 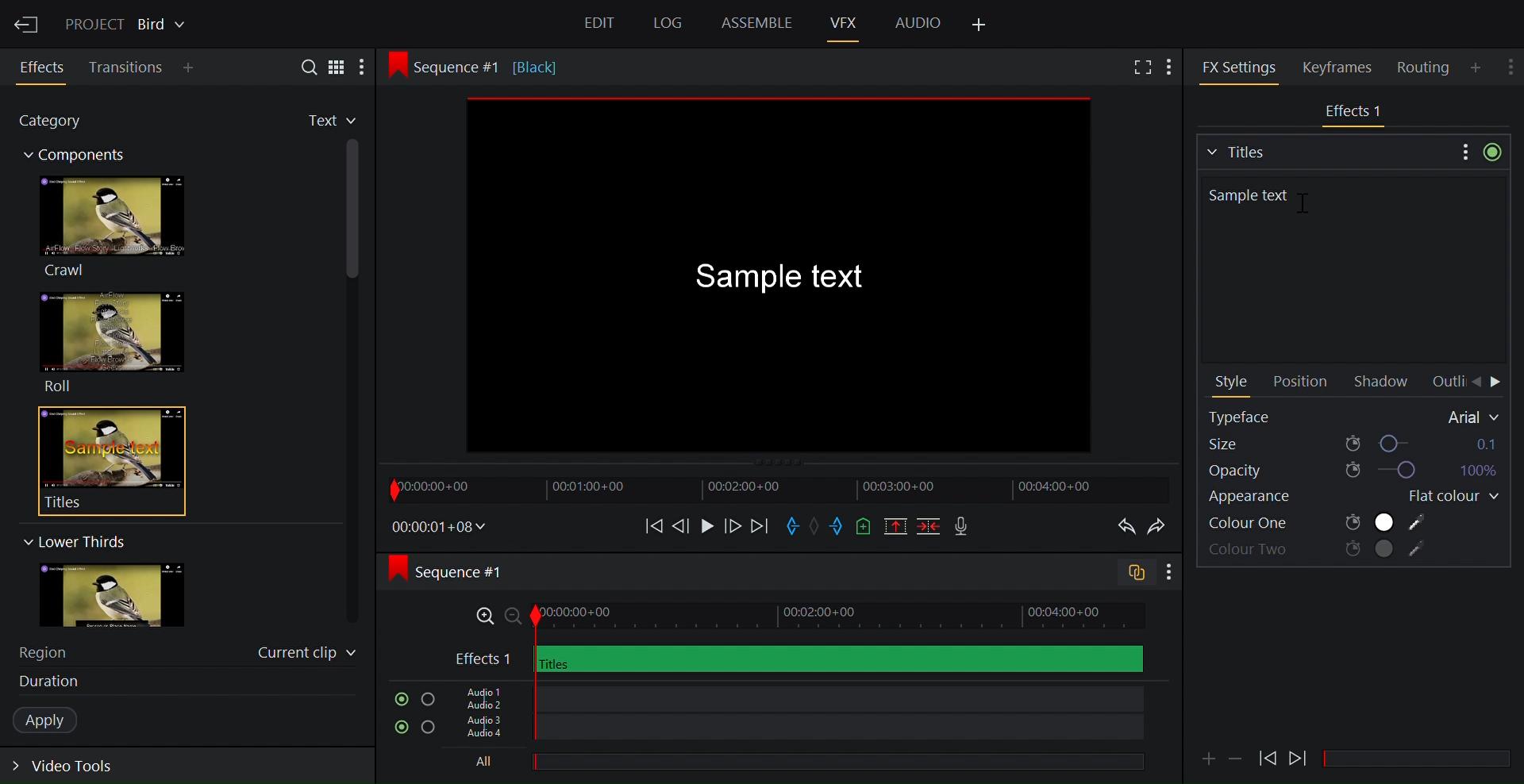 What do you see at coordinates (756, 23) in the screenshot?
I see `Assemble` at bounding box center [756, 23].